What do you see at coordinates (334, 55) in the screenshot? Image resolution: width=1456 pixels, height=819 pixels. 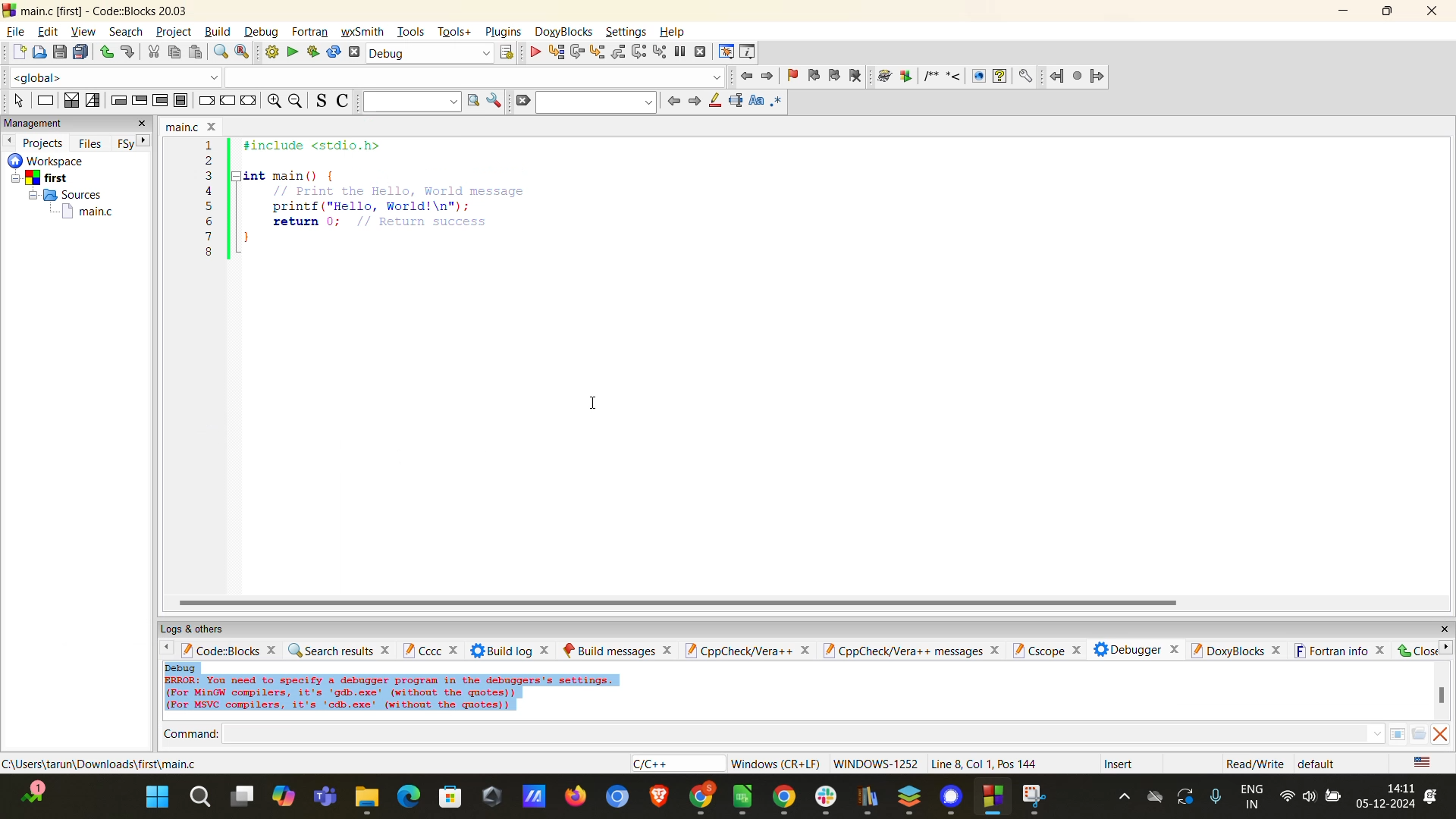 I see `rebuild` at bounding box center [334, 55].